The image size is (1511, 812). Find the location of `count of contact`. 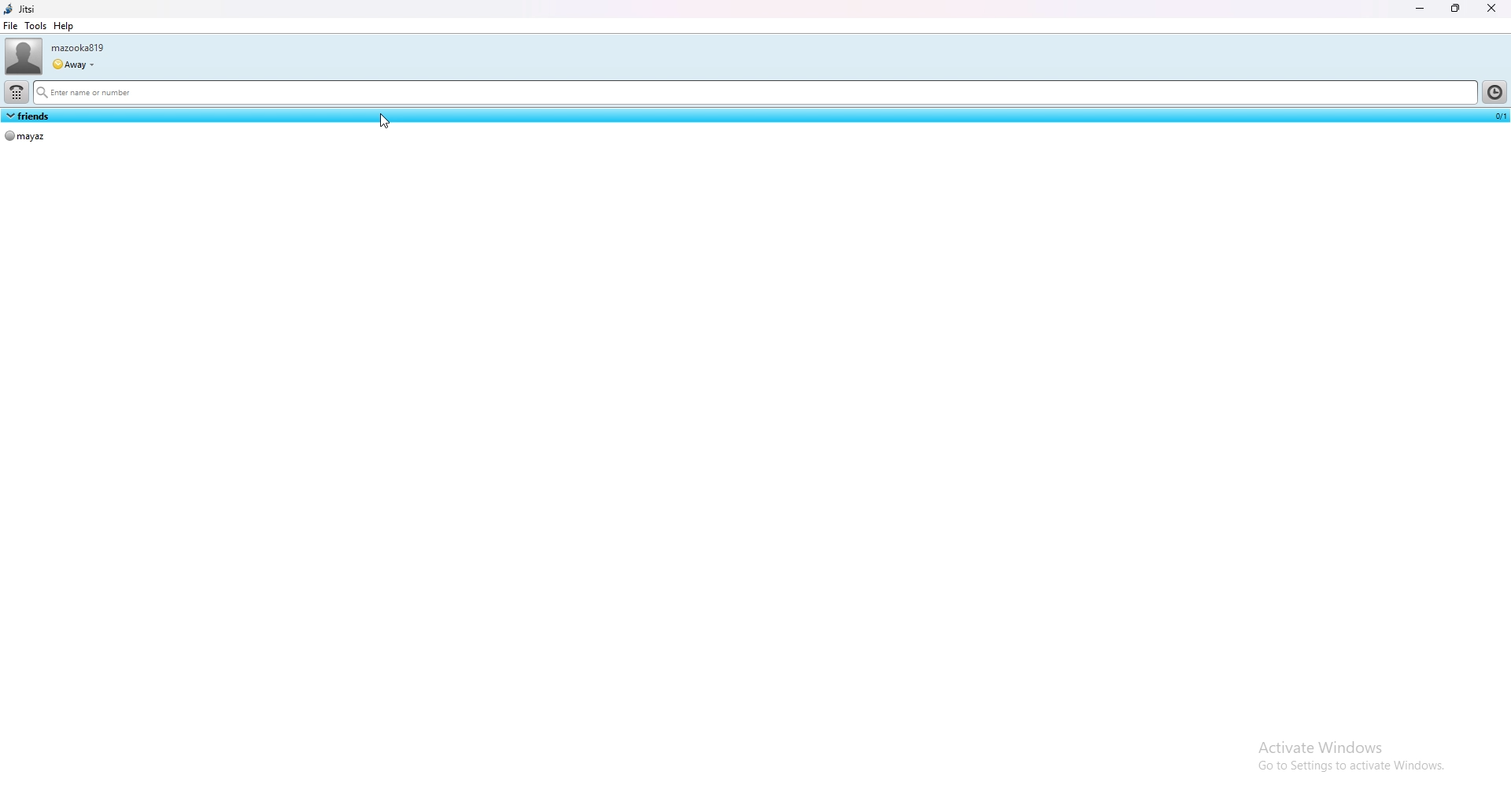

count of contact is located at coordinates (1498, 116).